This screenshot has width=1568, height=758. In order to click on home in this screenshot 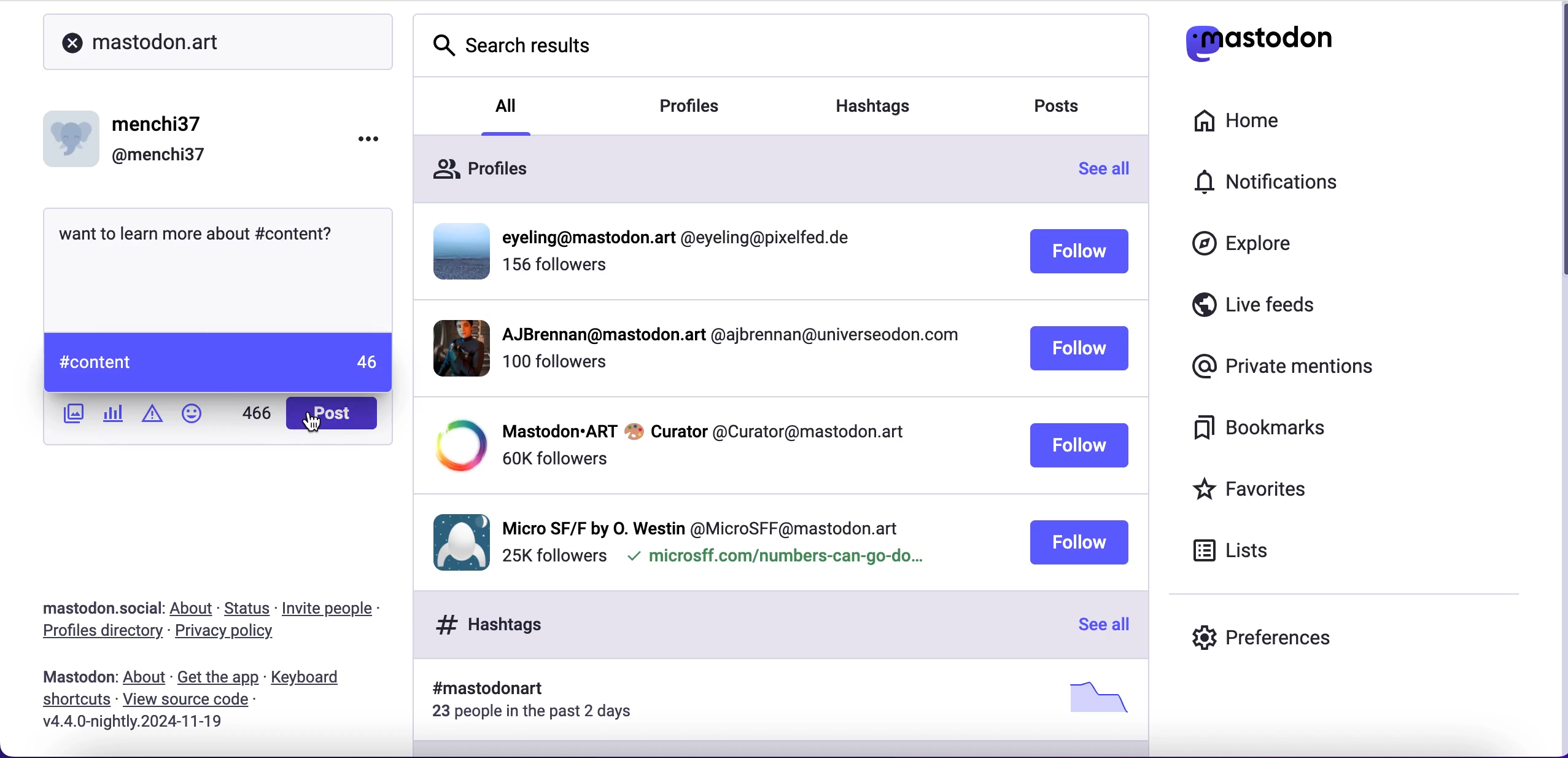, I will do `click(1252, 122)`.